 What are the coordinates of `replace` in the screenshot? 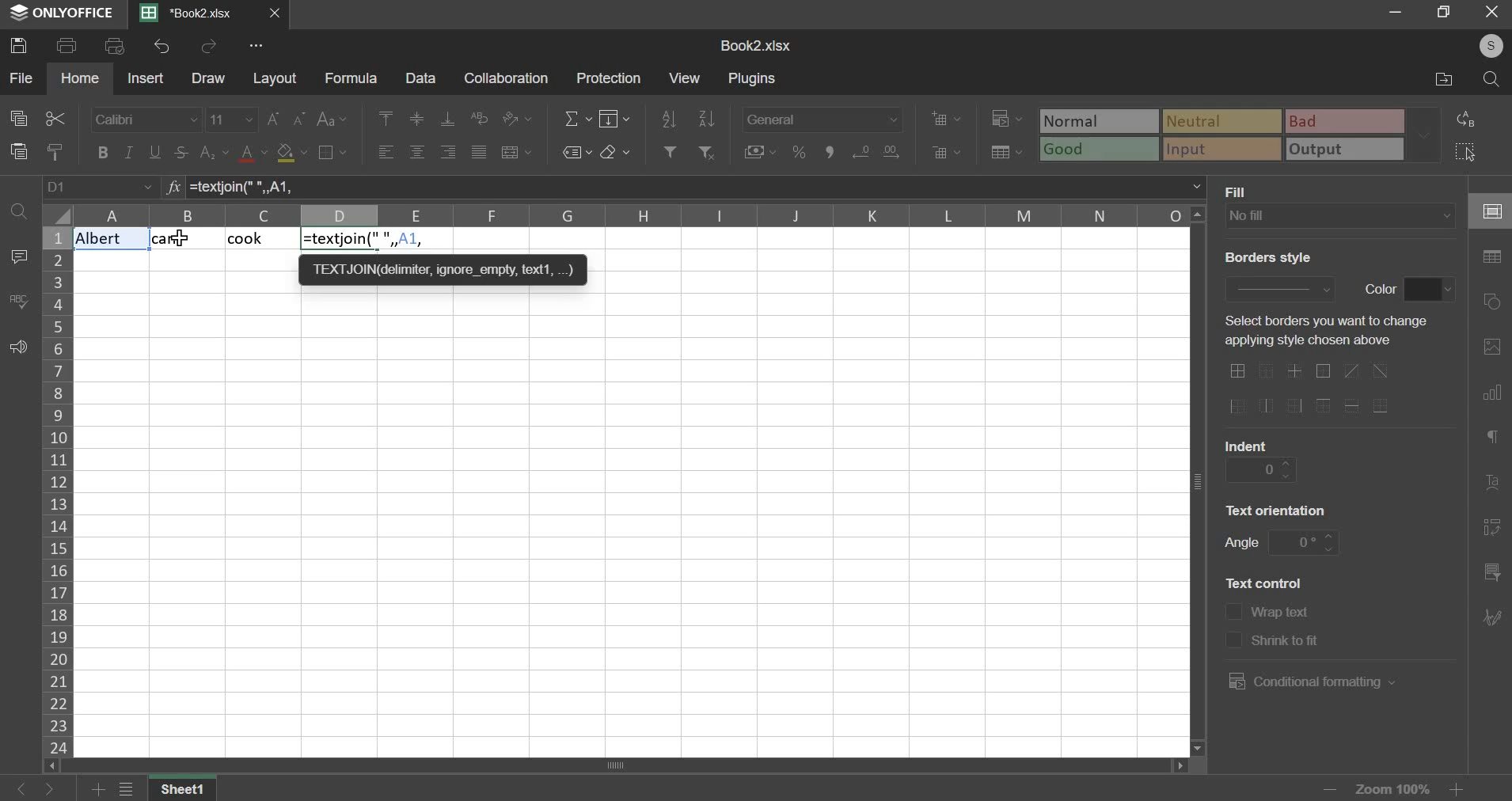 It's located at (1471, 119).